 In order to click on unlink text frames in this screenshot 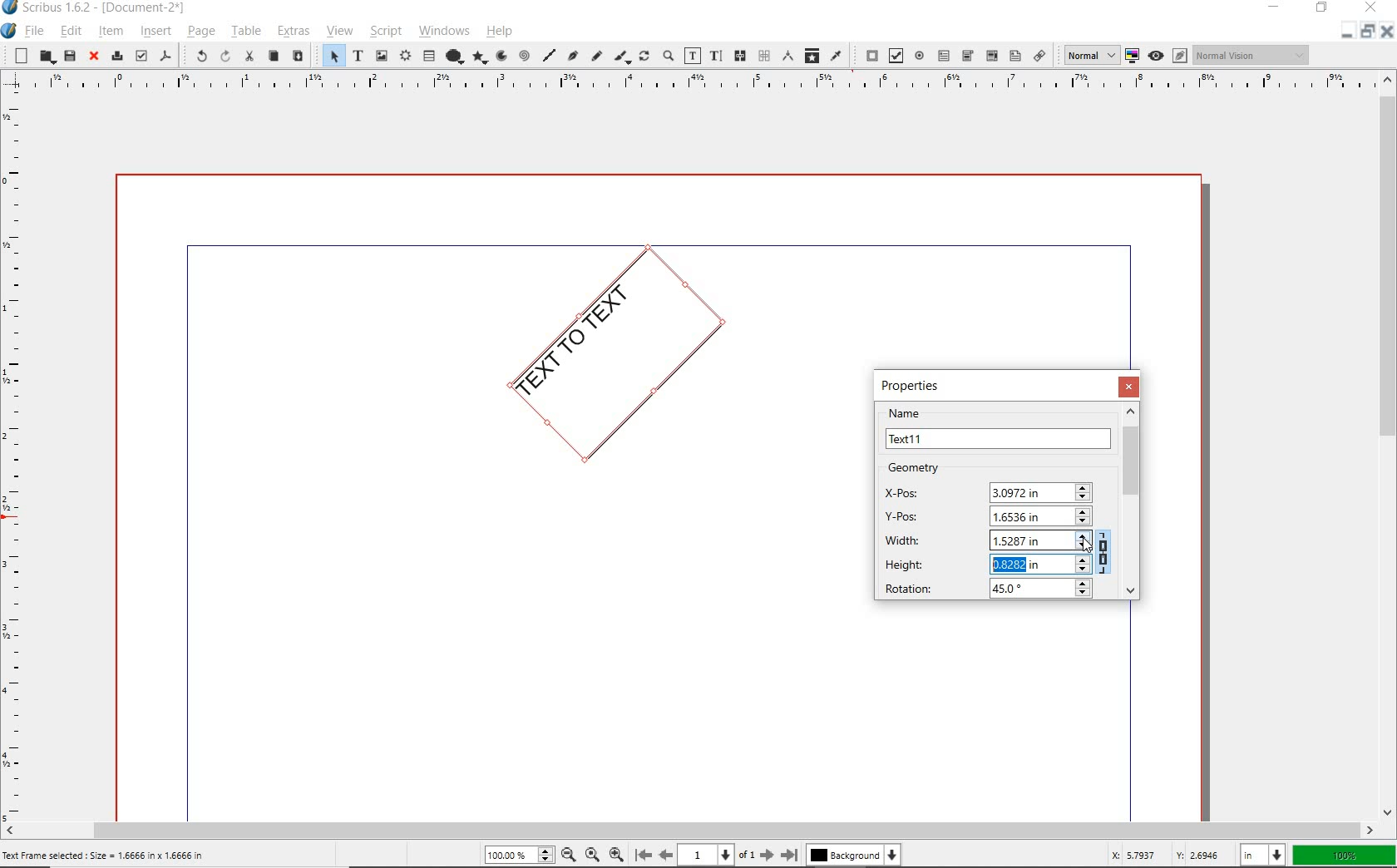, I will do `click(763, 57)`.